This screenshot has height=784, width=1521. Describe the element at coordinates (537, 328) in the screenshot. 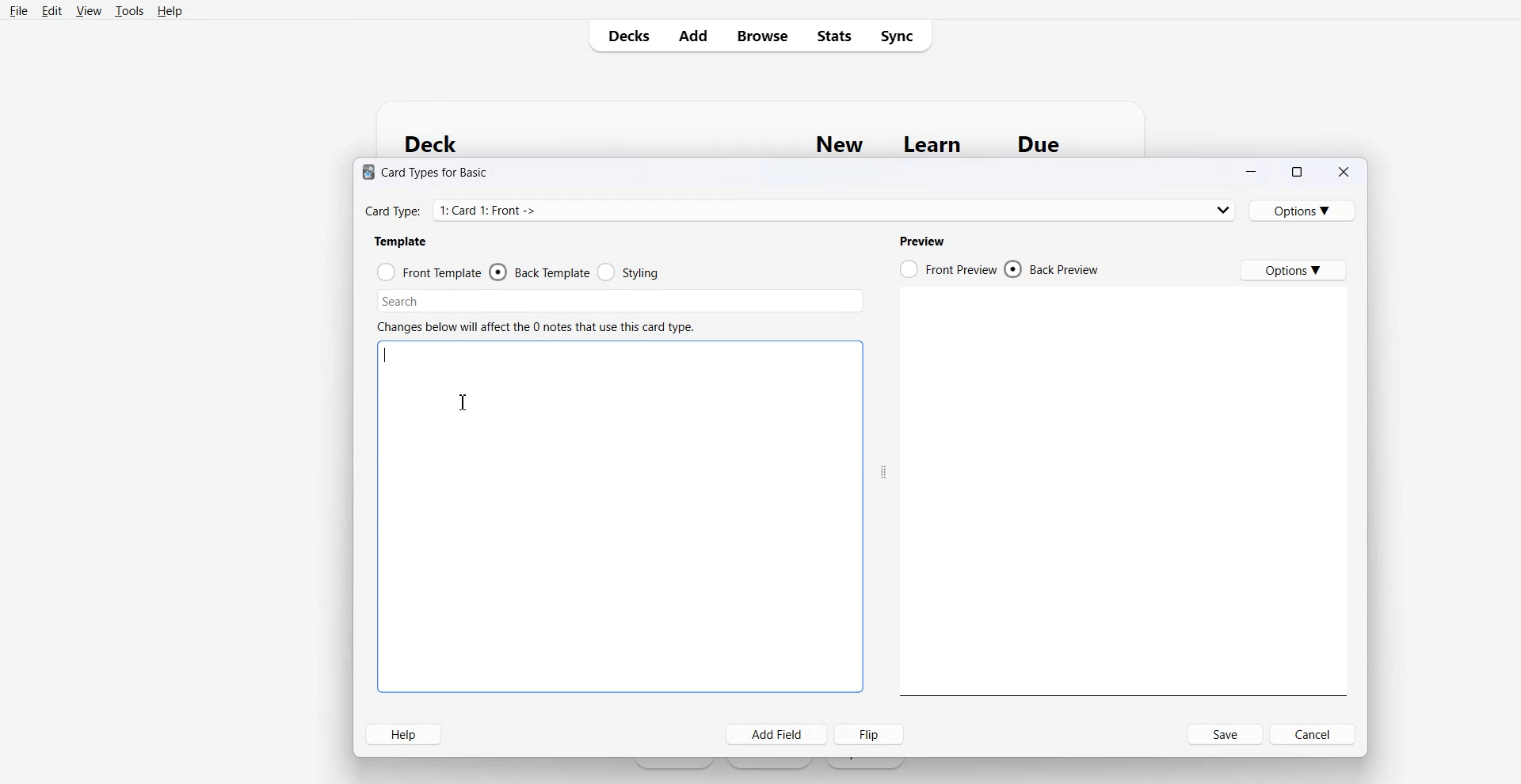

I see `Changes below will affect the 0 notes that use this card type.` at that location.